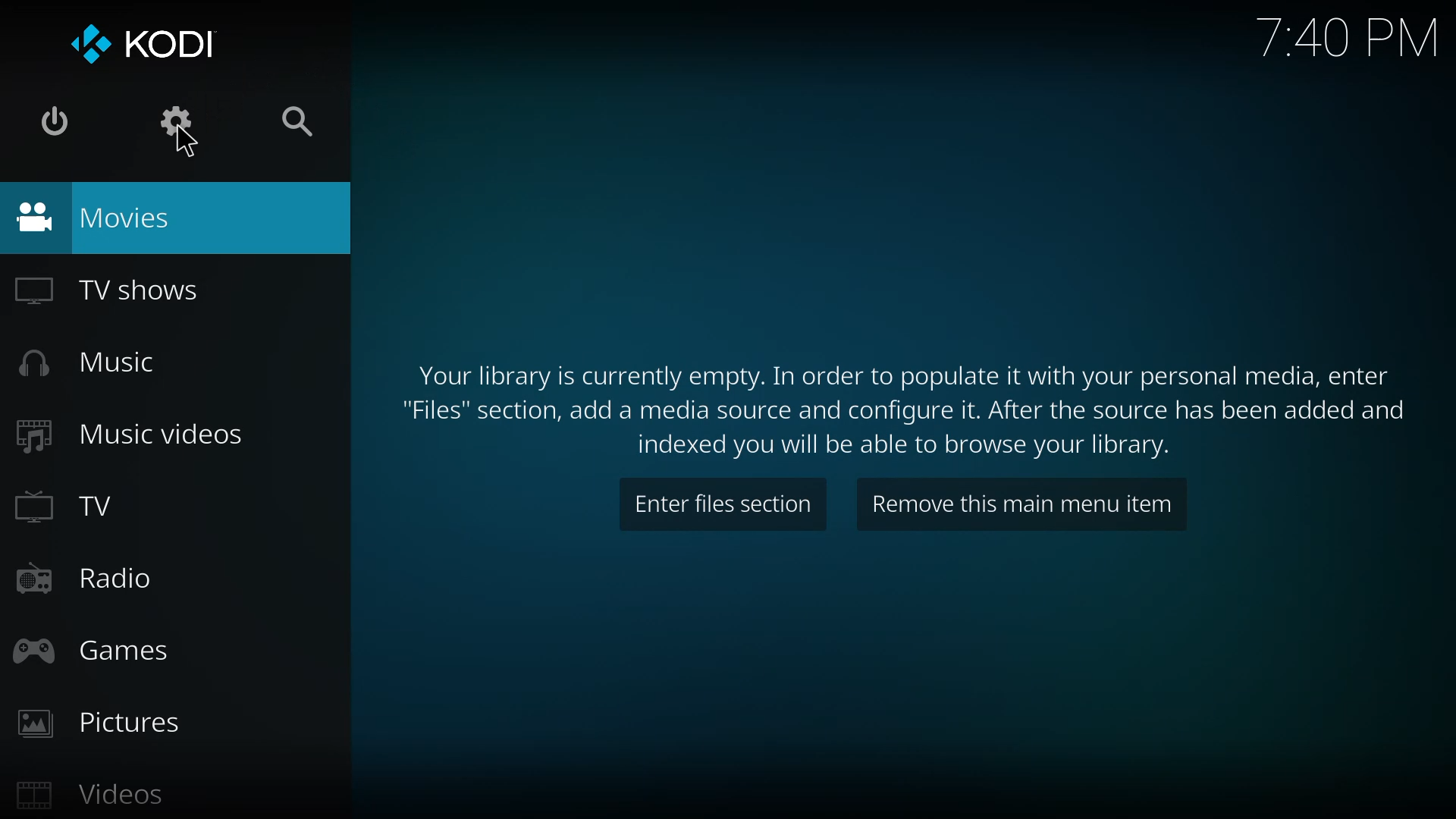 This screenshot has height=819, width=1456. What do you see at coordinates (117, 289) in the screenshot?
I see `tv shows` at bounding box center [117, 289].